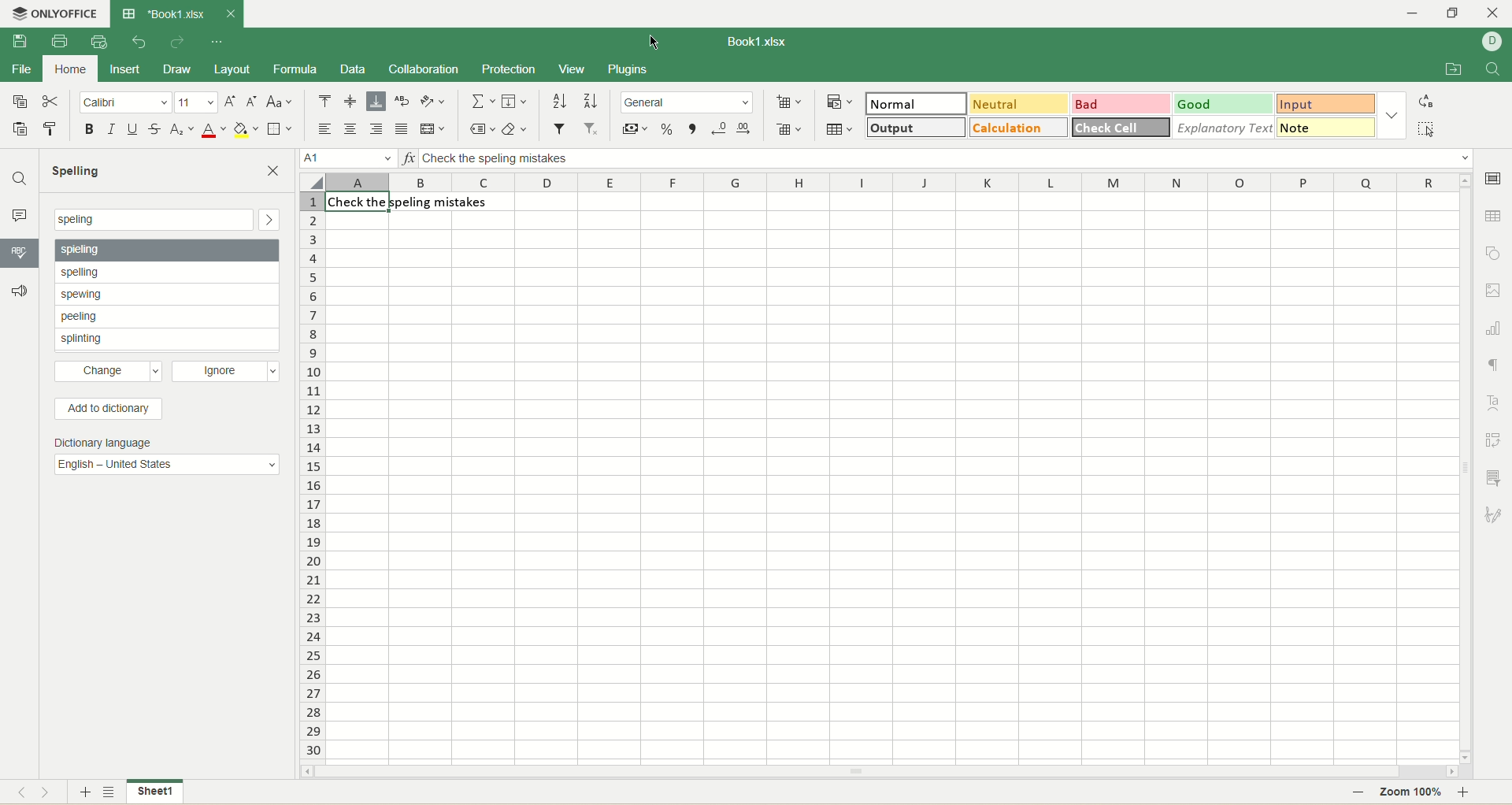 This screenshot has width=1512, height=805. I want to click on quick print, so click(102, 42).